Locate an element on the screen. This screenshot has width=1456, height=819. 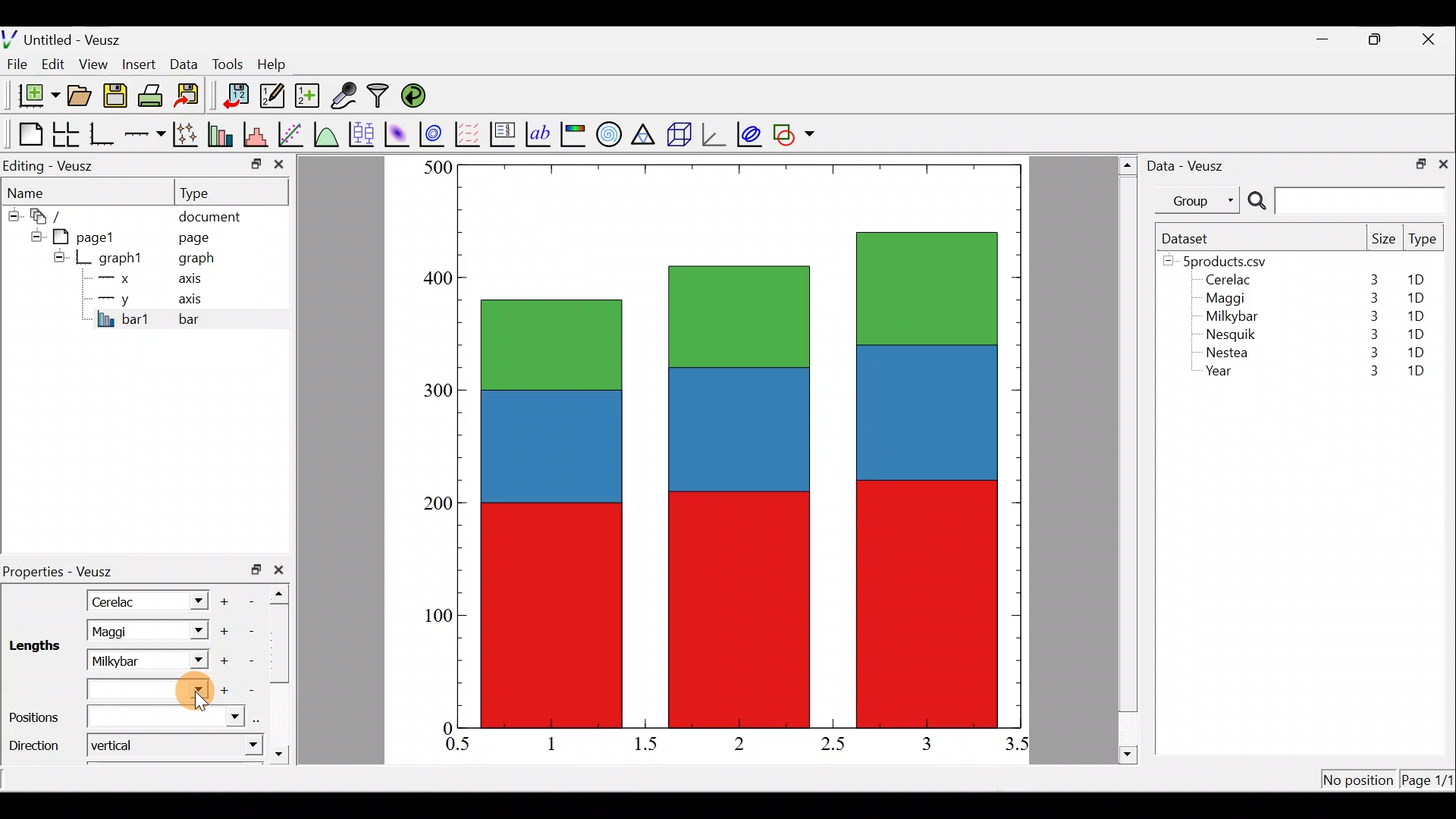
200 is located at coordinates (438, 506).